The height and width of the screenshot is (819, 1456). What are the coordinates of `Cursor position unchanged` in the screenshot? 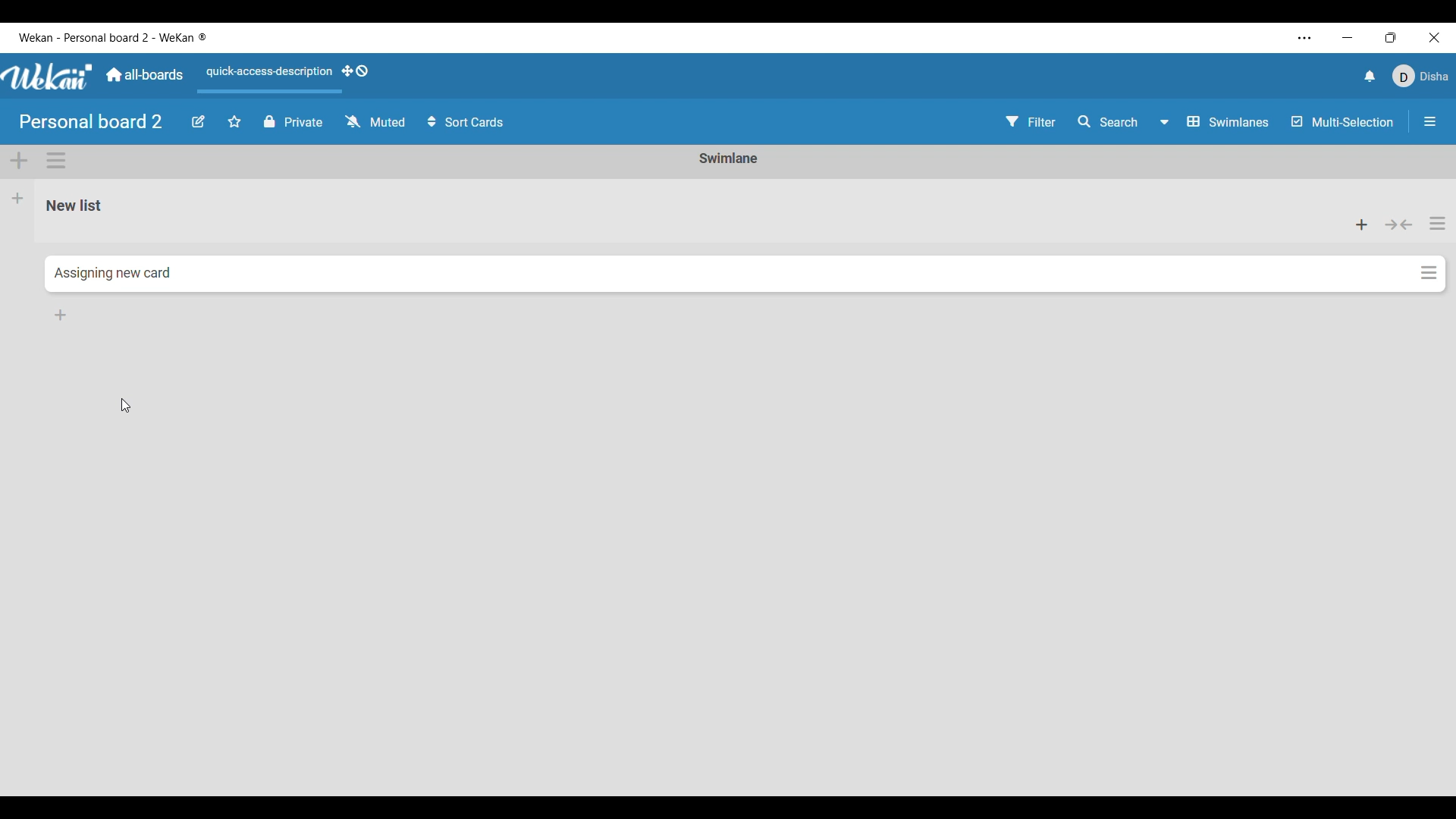 It's located at (126, 406).